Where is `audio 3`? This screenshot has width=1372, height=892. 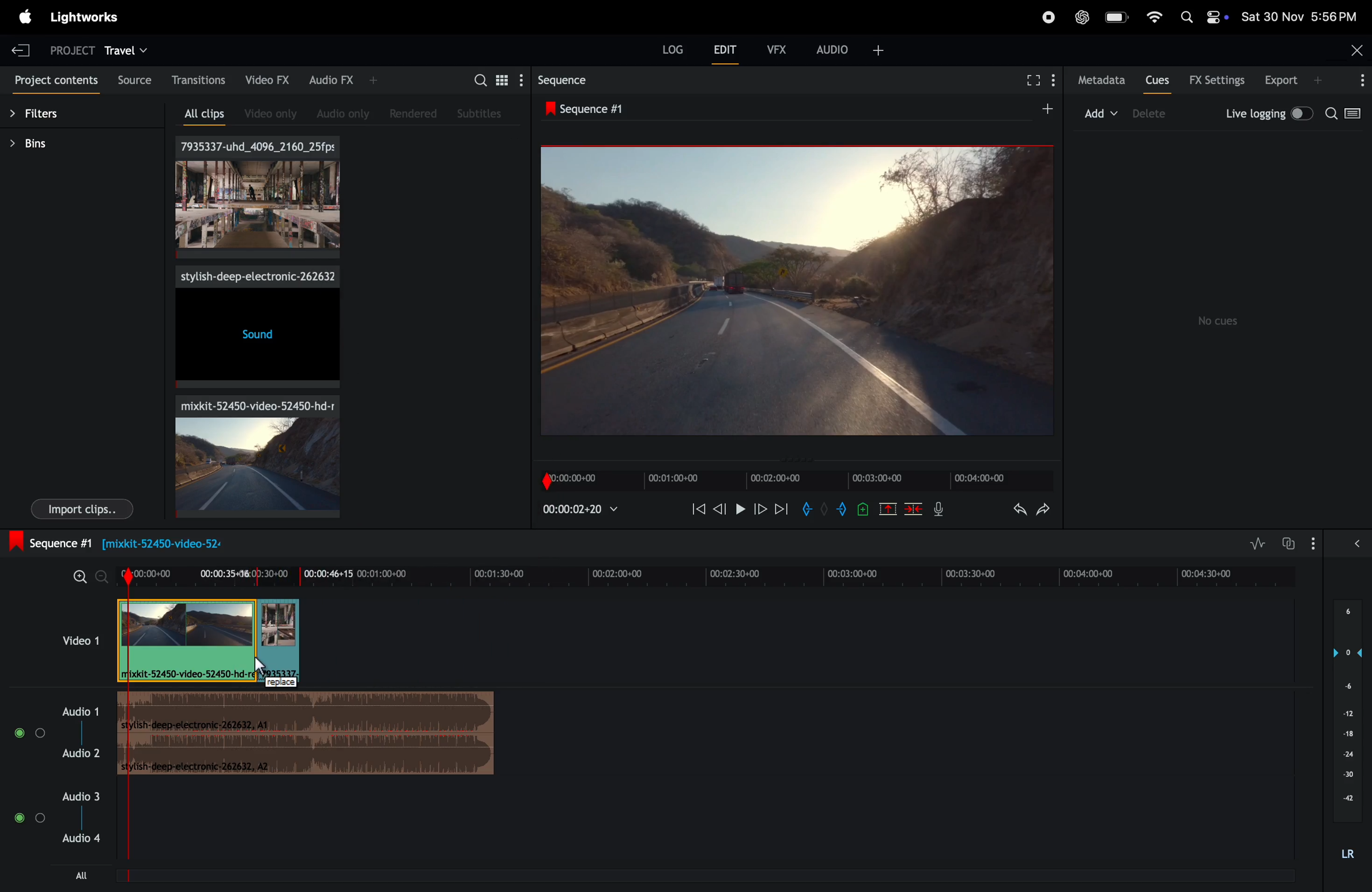
audio 3 is located at coordinates (58, 833).